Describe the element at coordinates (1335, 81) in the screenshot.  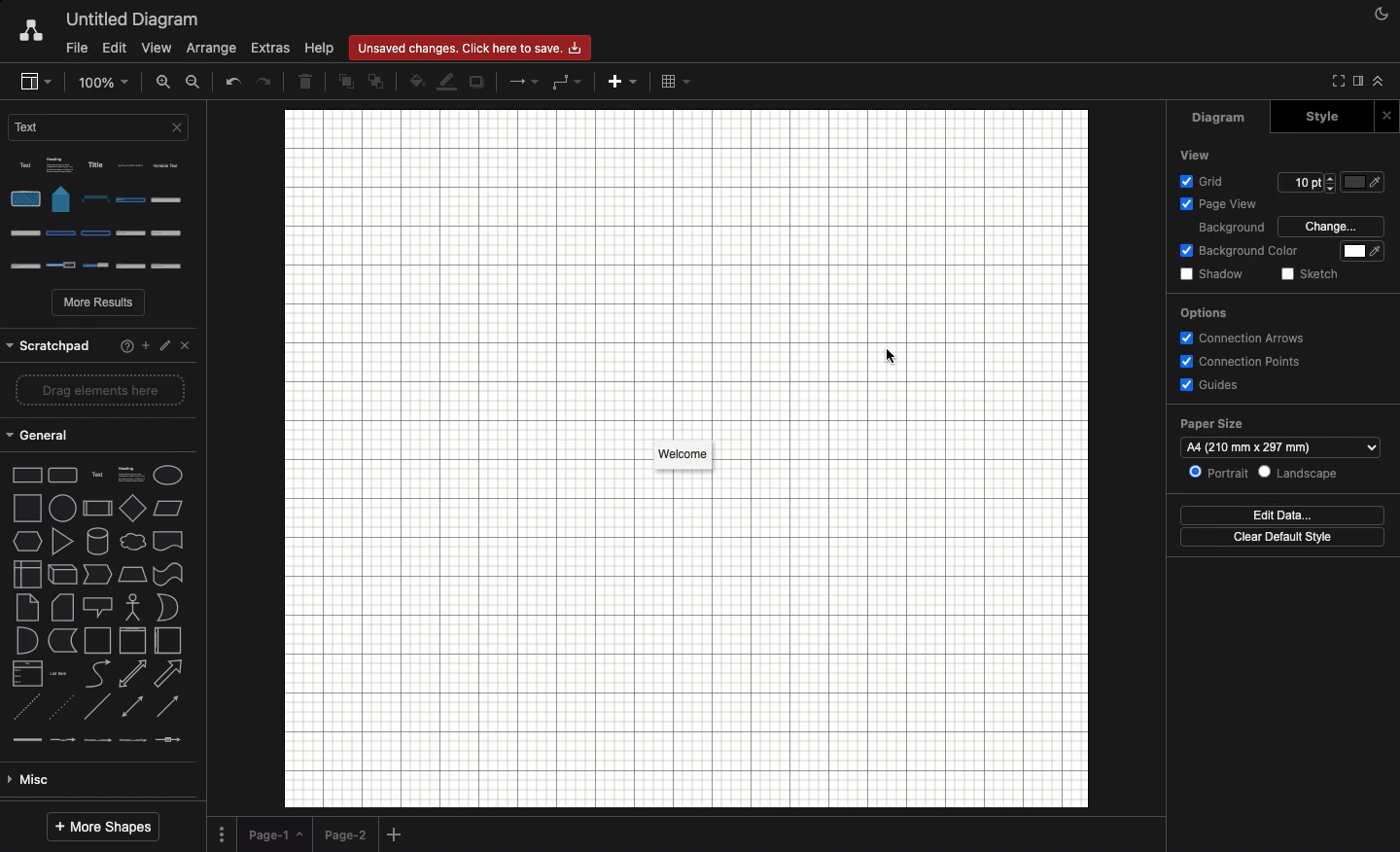
I see `Fullscreen` at that location.